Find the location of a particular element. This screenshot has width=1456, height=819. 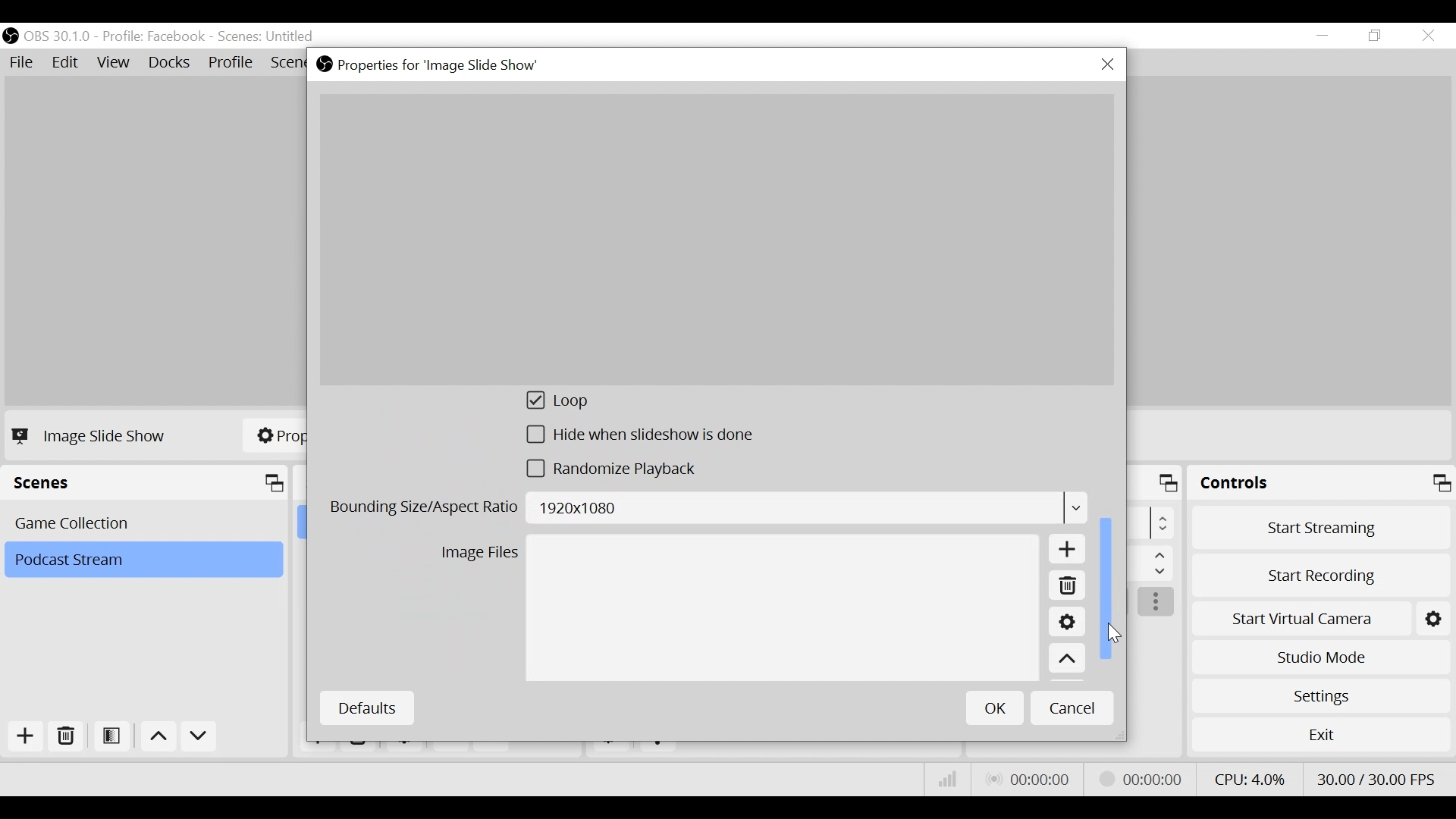

Preview Image Slide Show is located at coordinates (716, 240).